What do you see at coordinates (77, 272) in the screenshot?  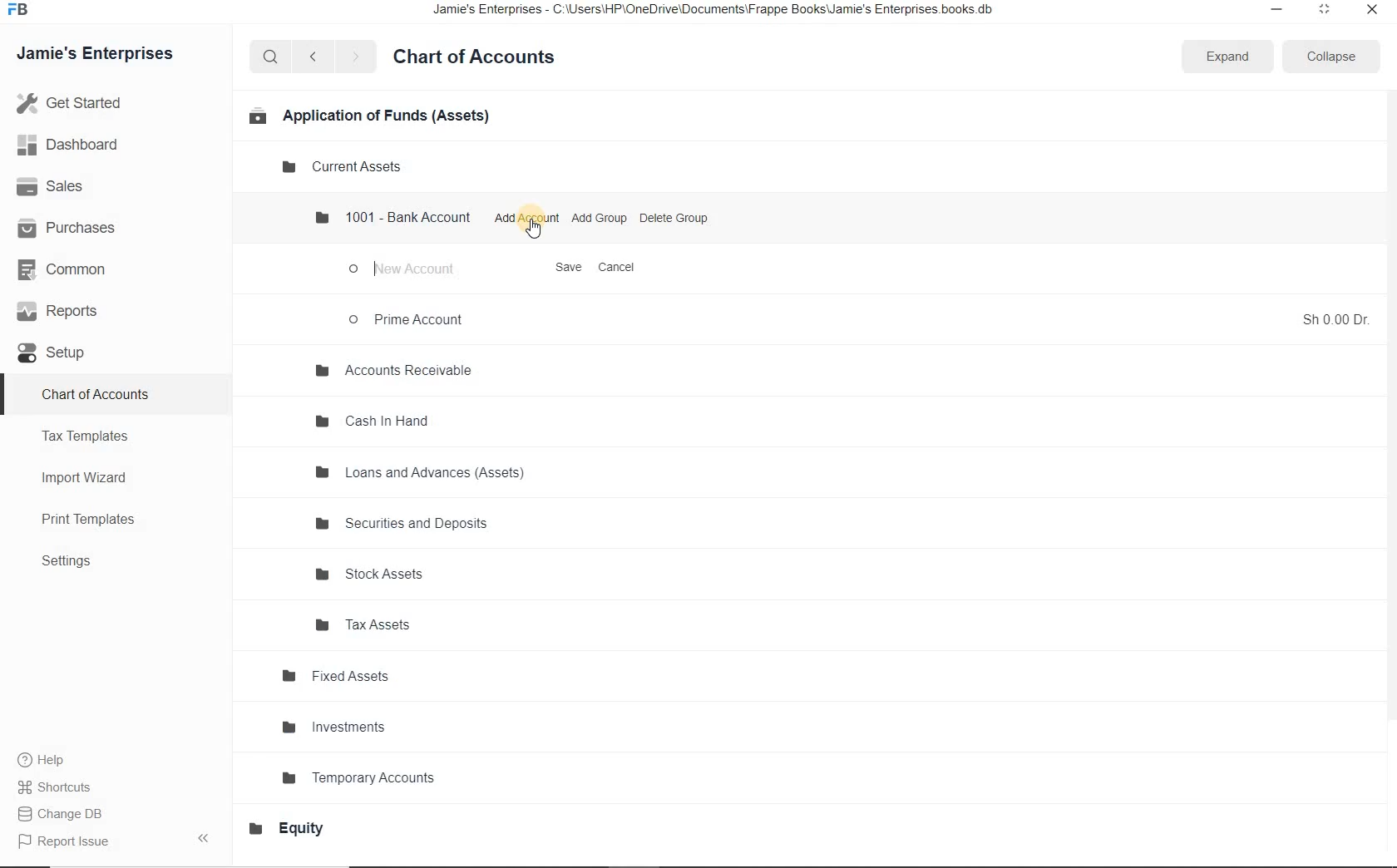 I see `common` at bounding box center [77, 272].